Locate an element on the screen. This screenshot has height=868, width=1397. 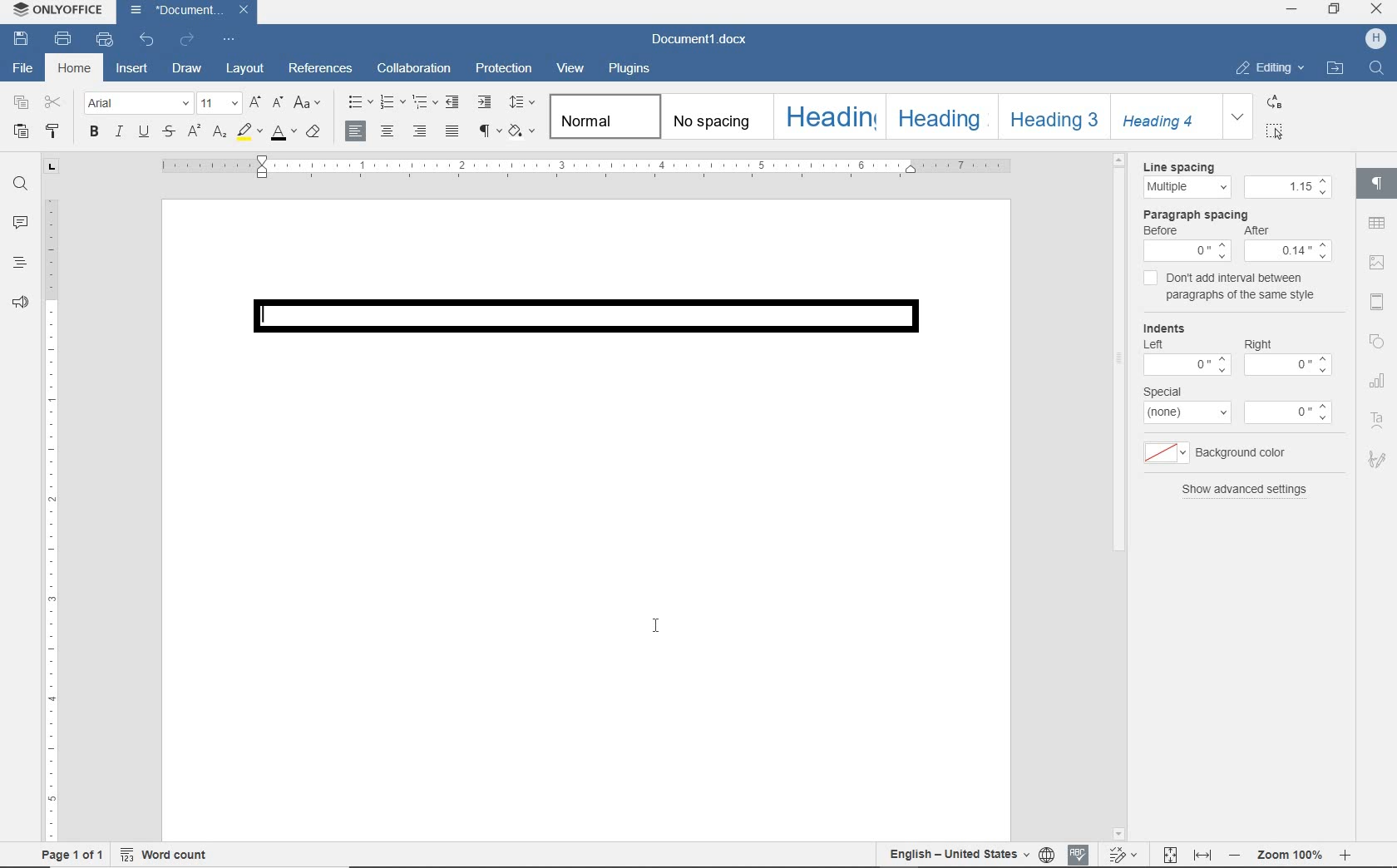
paste is located at coordinates (21, 131).